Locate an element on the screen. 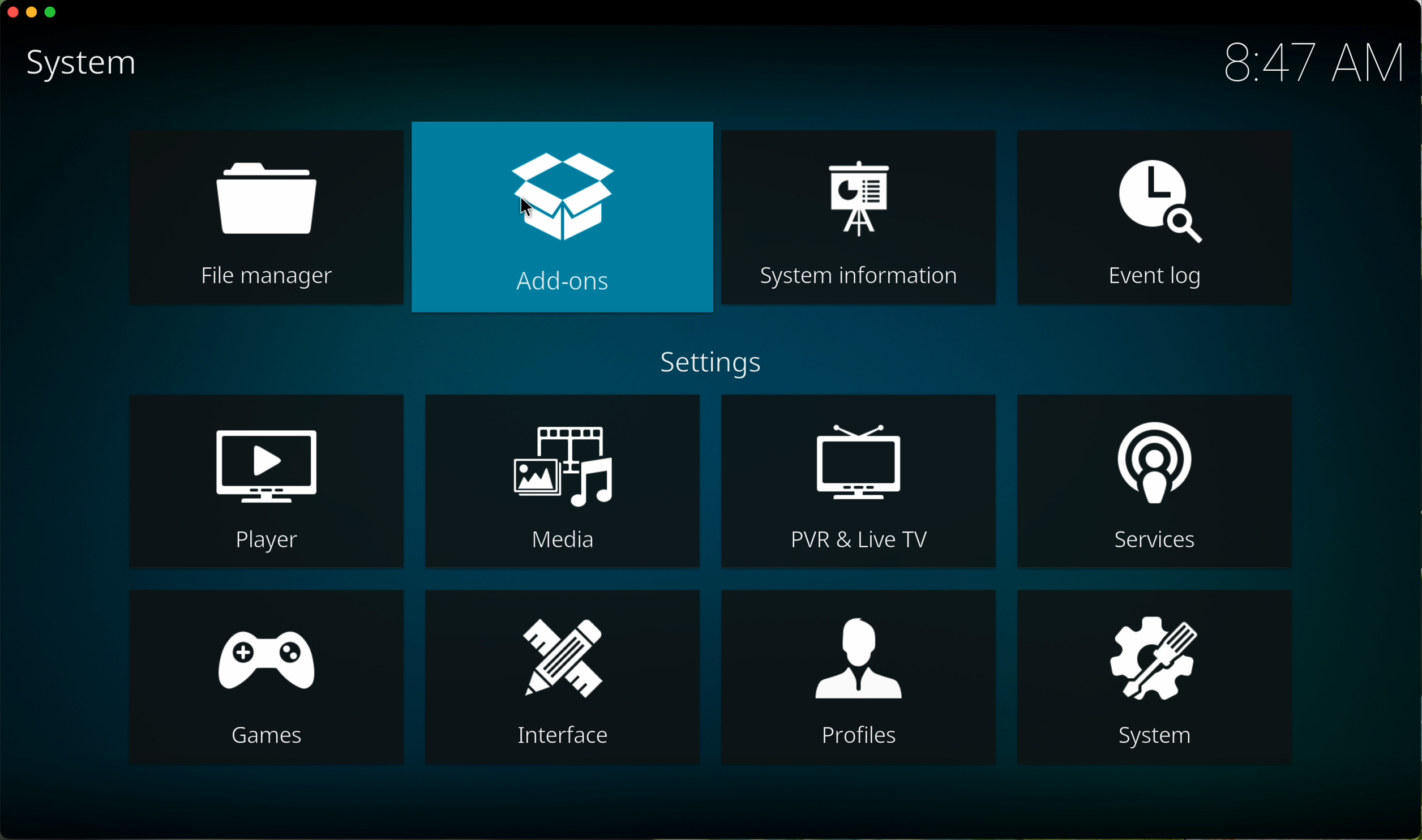 The height and width of the screenshot is (840, 1422). profiles is located at coordinates (858, 679).